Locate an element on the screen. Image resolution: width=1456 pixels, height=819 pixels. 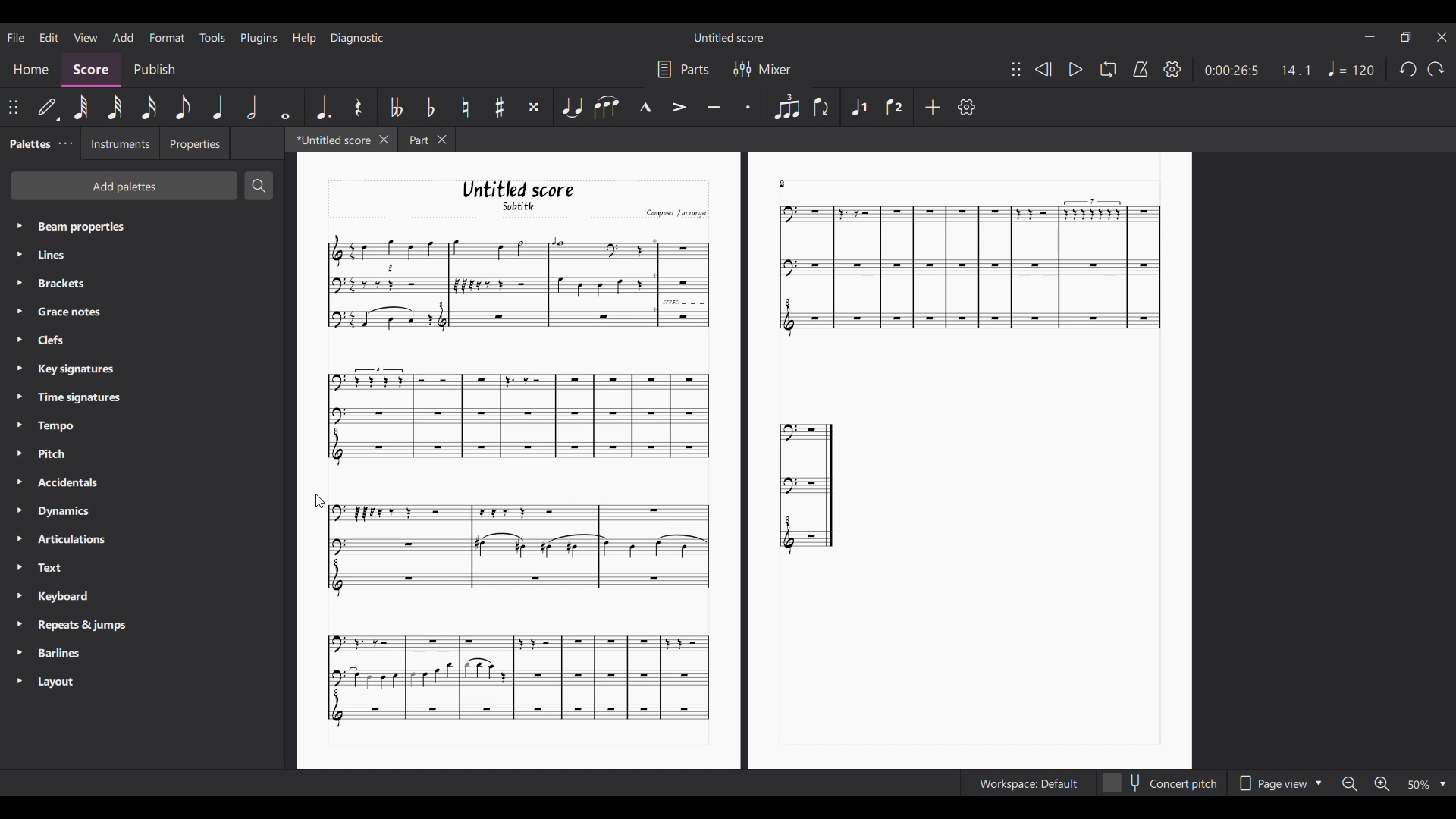
Default is located at coordinates (48, 110).